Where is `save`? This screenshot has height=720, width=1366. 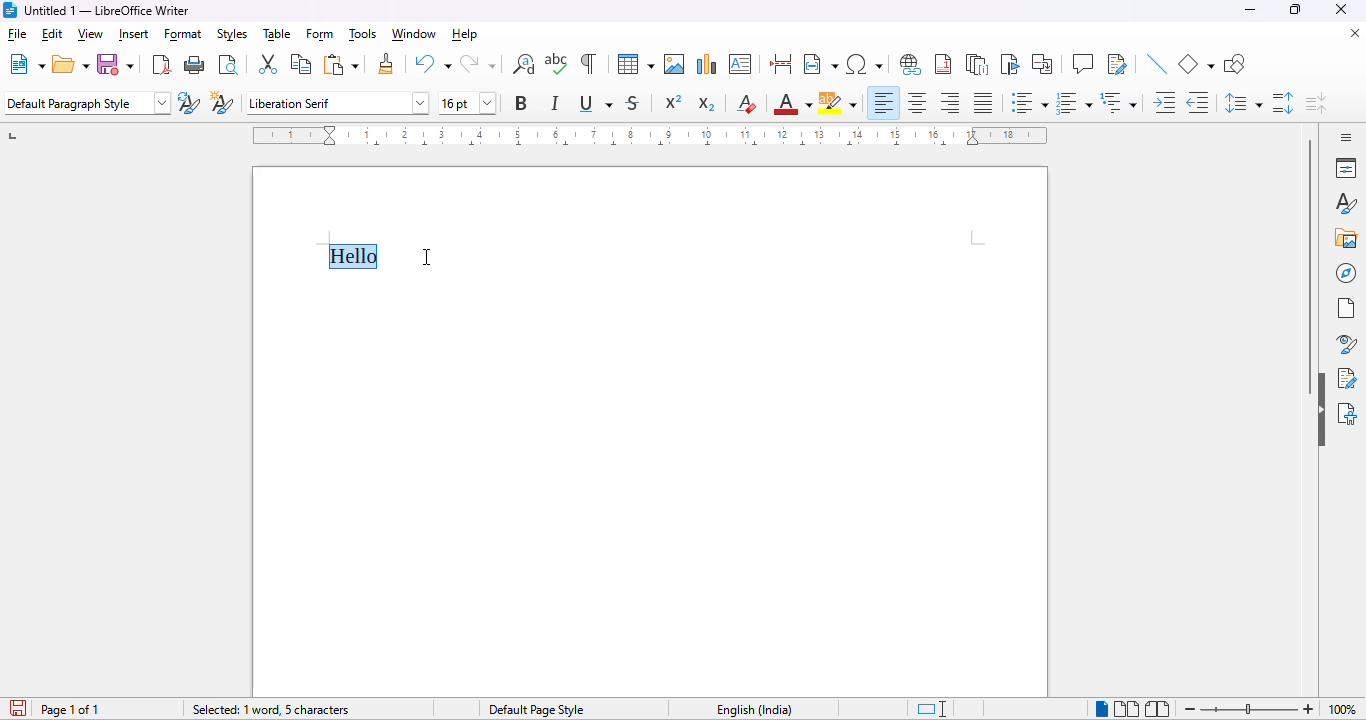 save is located at coordinates (116, 63).